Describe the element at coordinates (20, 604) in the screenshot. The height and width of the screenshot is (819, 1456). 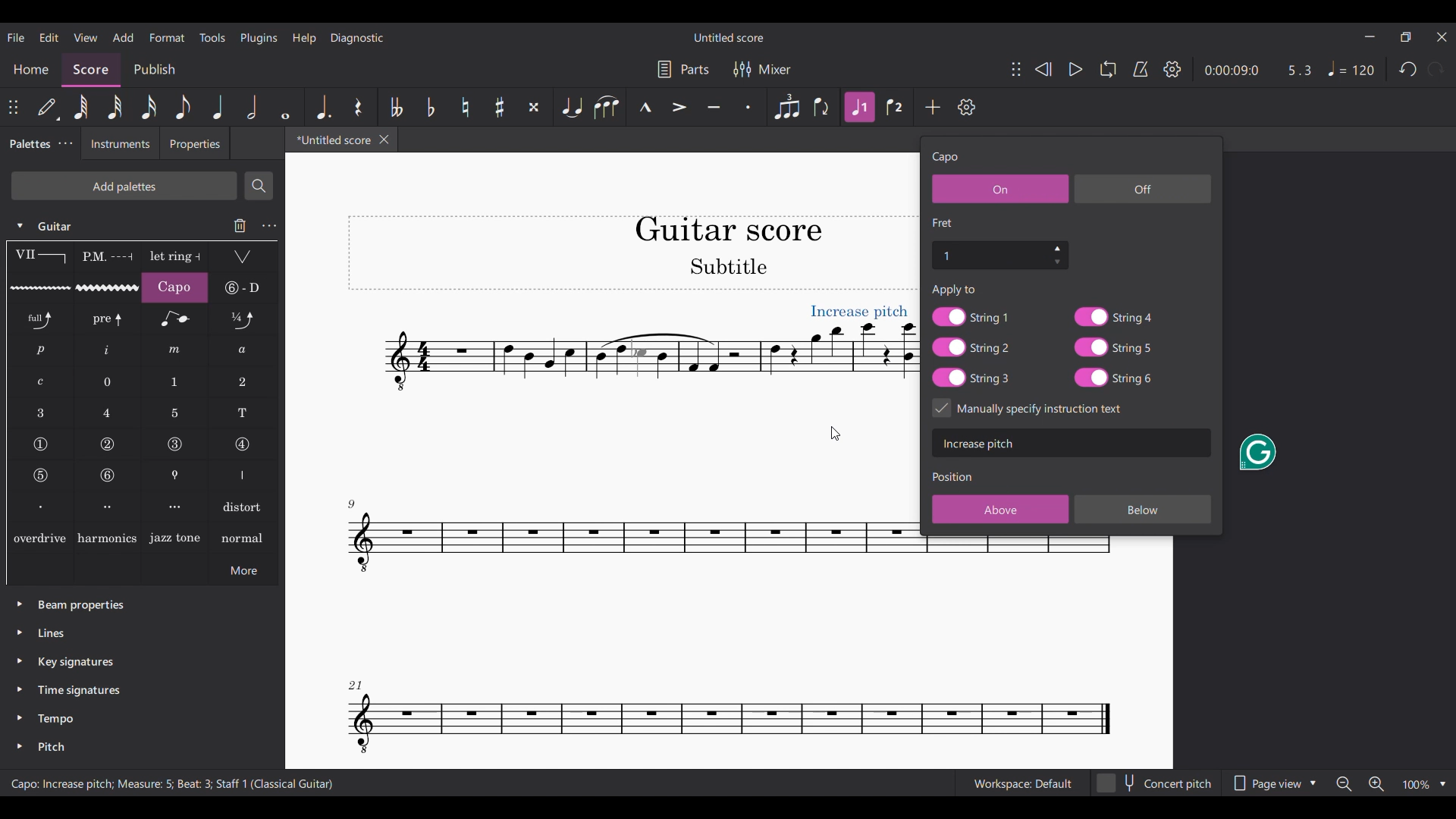
I see `Click to expand beam properties` at that location.